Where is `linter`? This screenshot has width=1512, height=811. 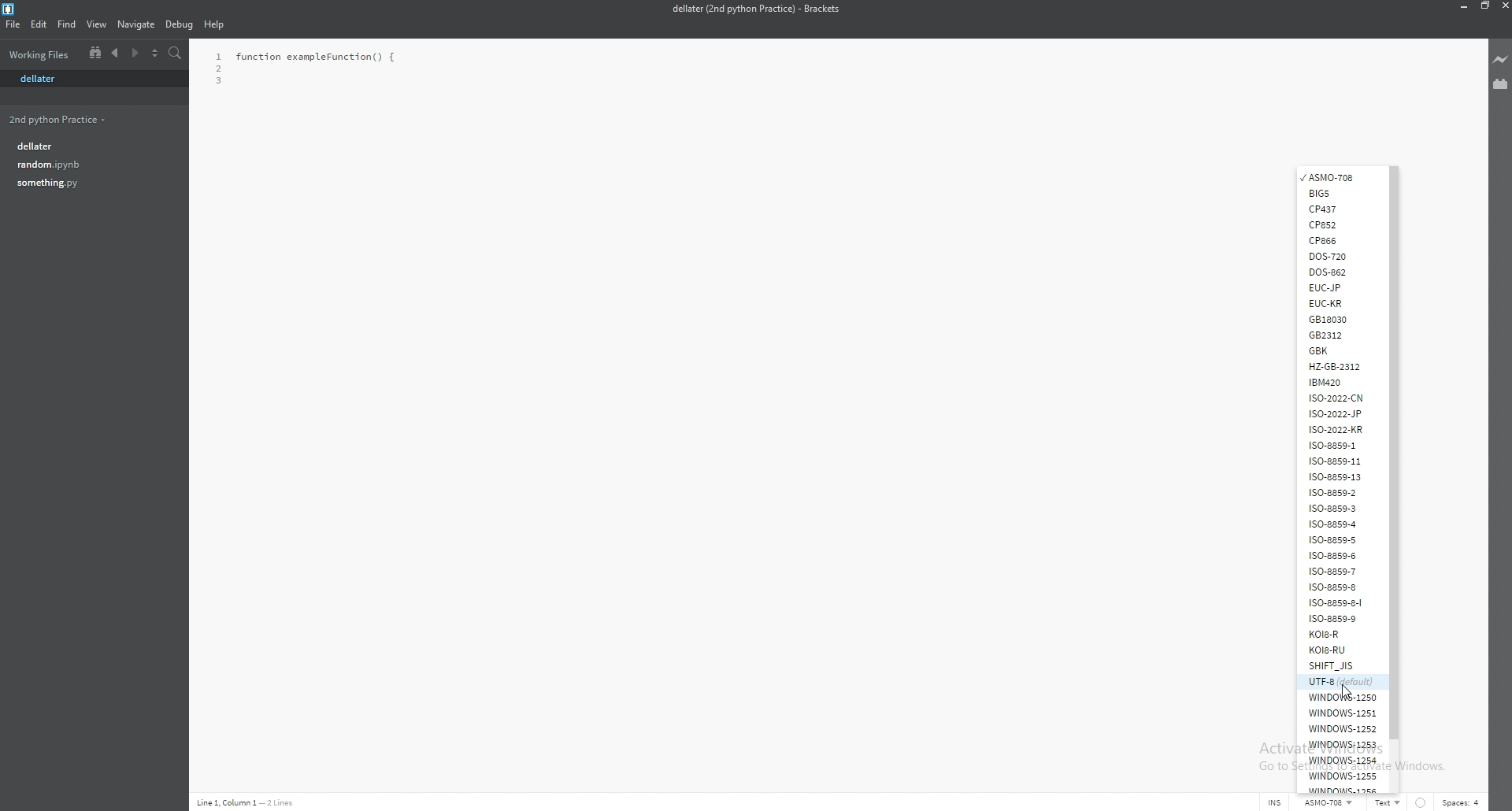
linter is located at coordinates (1421, 802).